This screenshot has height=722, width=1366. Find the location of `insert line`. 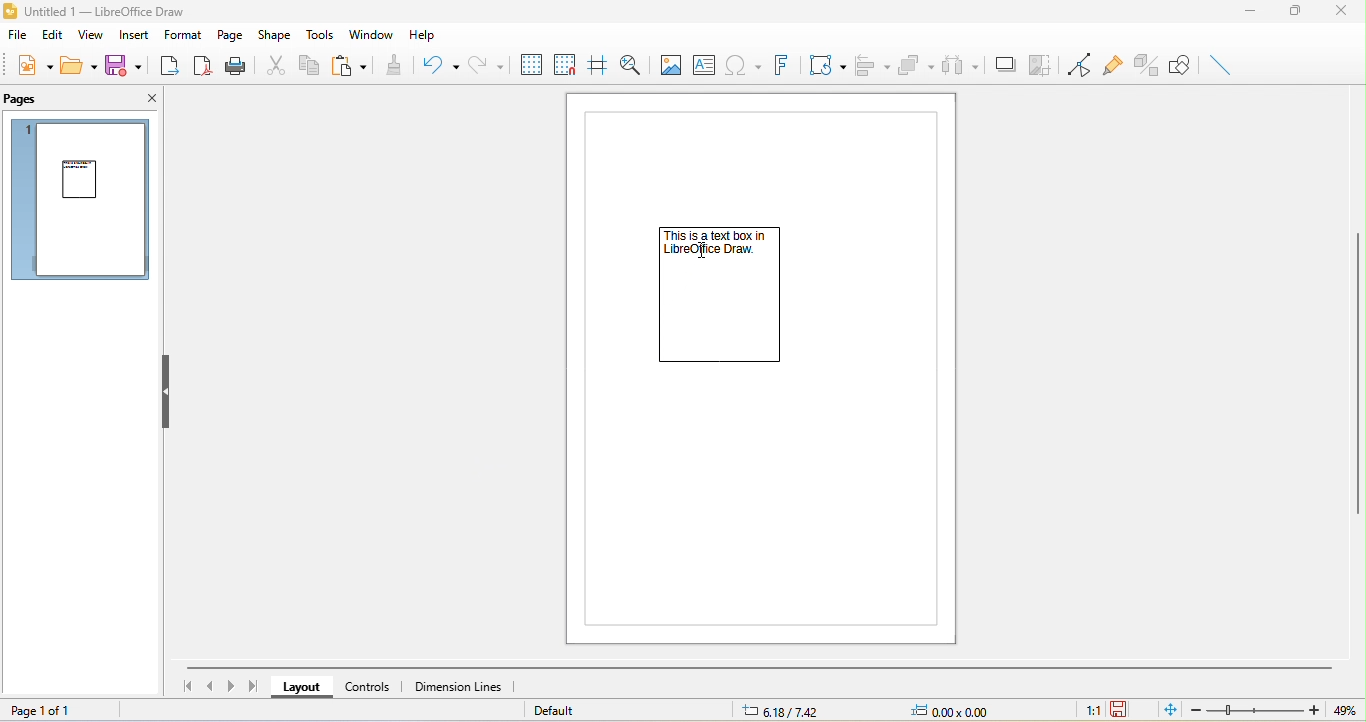

insert line is located at coordinates (1226, 66).